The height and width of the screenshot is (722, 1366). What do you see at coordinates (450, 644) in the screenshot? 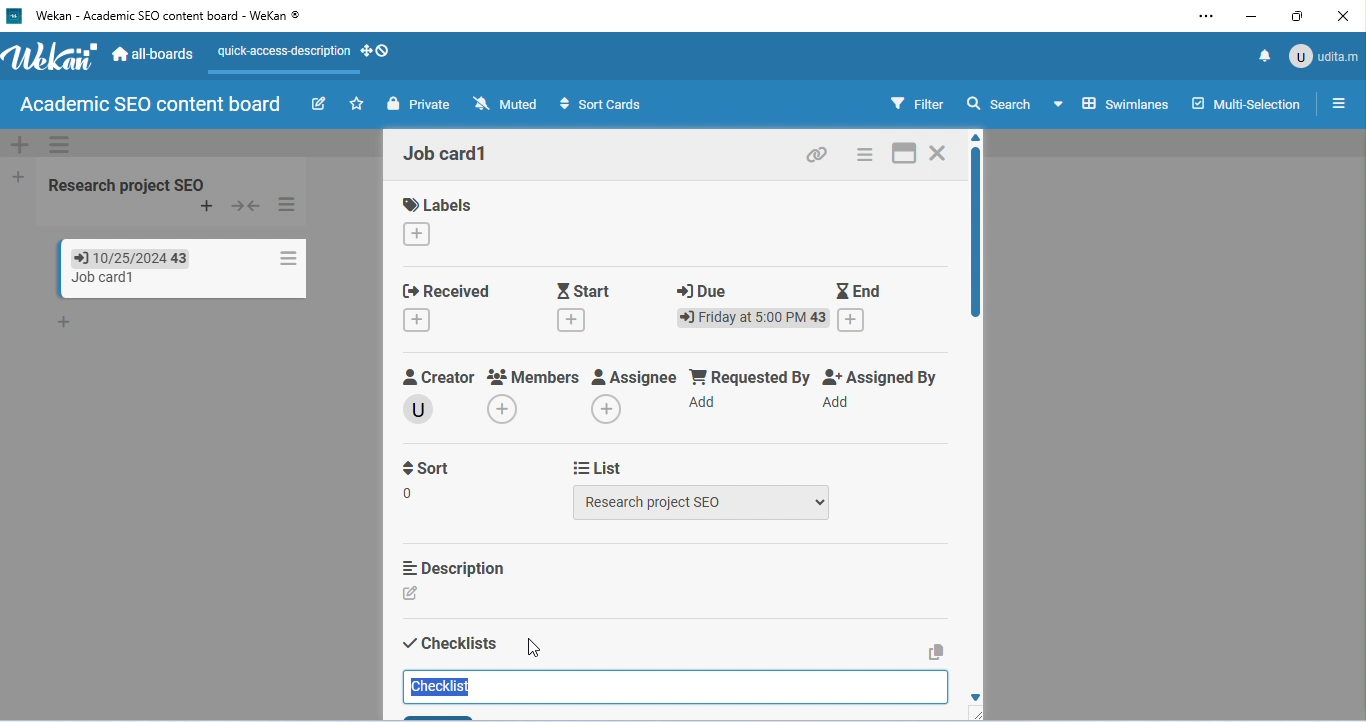
I see `checklist` at bounding box center [450, 644].